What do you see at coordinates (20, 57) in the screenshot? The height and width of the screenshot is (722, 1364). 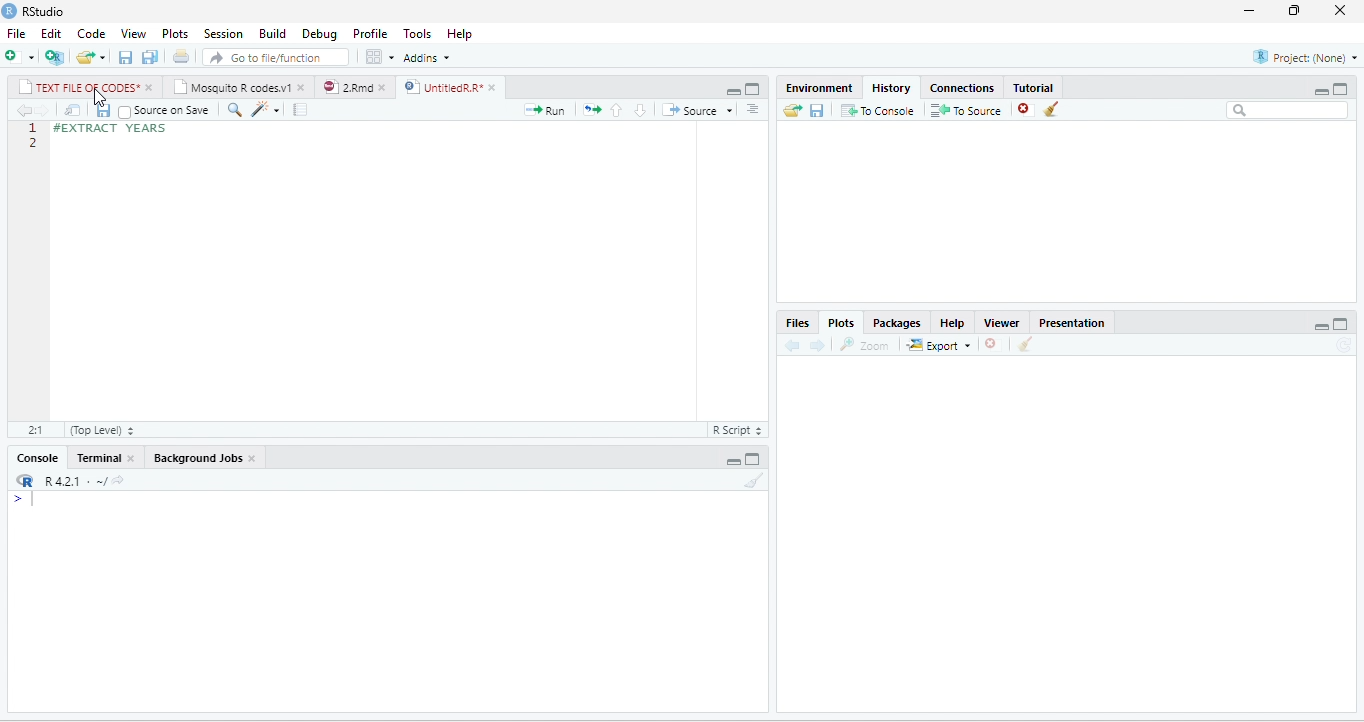 I see `new file` at bounding box center [20, 57].